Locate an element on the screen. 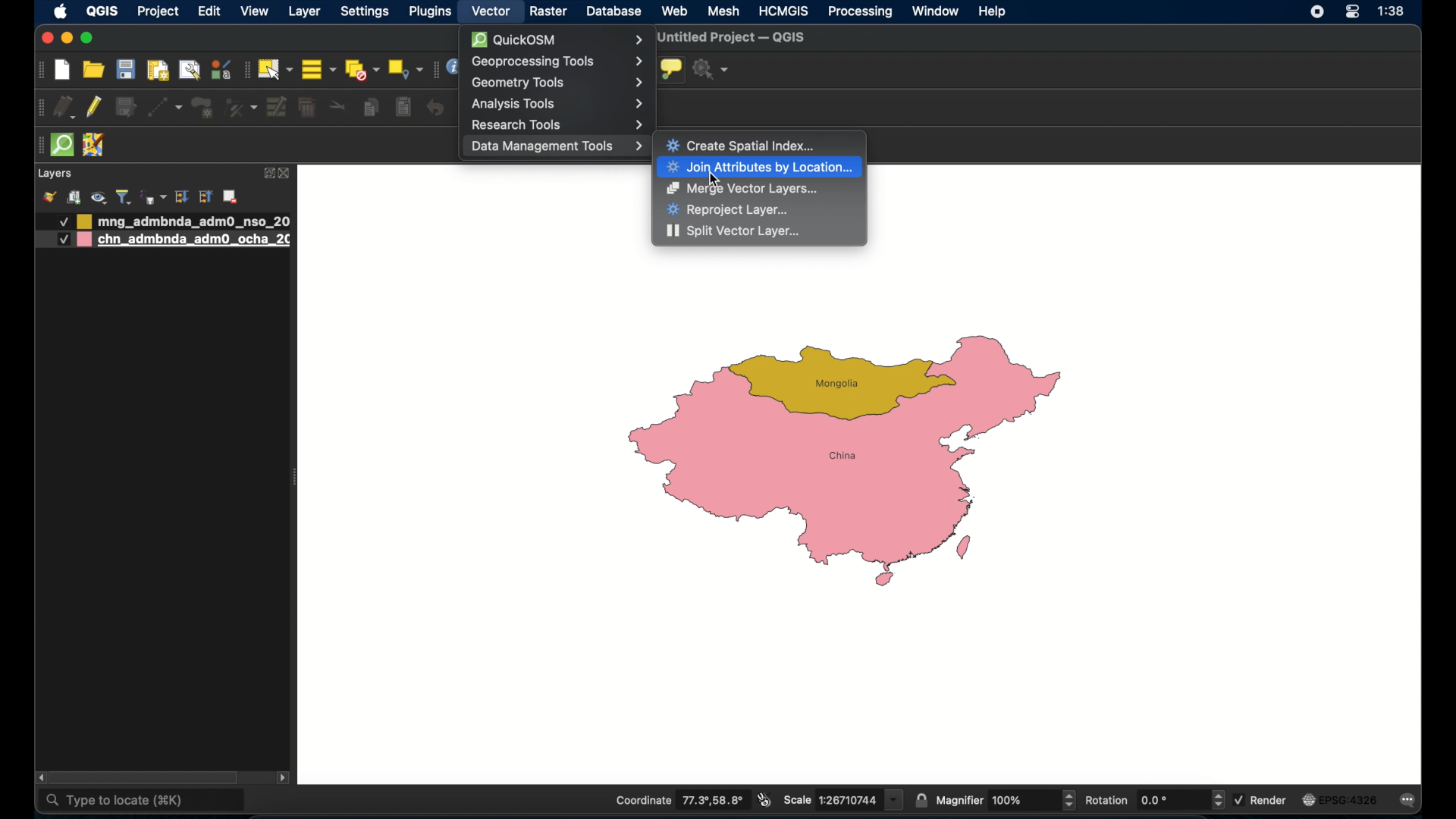  type to locate is located at coordinates (143, 802).